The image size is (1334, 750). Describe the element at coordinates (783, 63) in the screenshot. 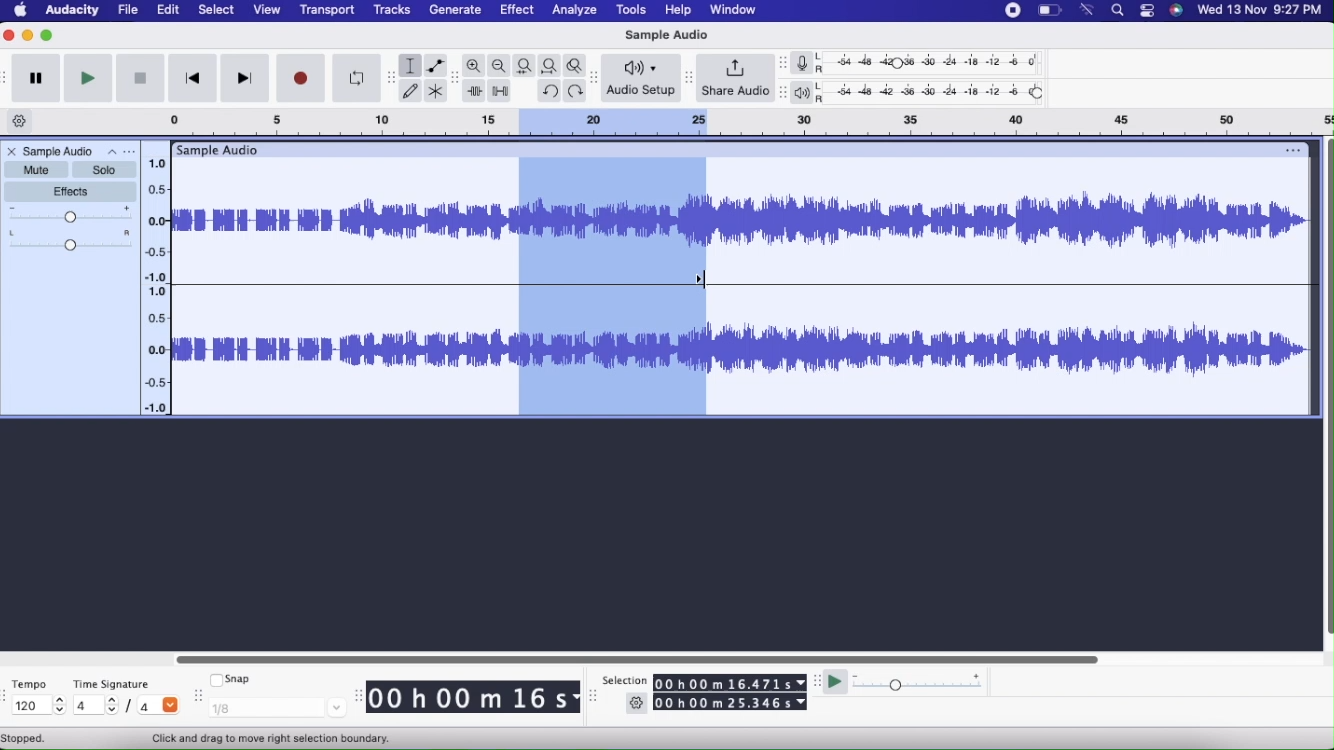

I see `move toolbar` at that location.